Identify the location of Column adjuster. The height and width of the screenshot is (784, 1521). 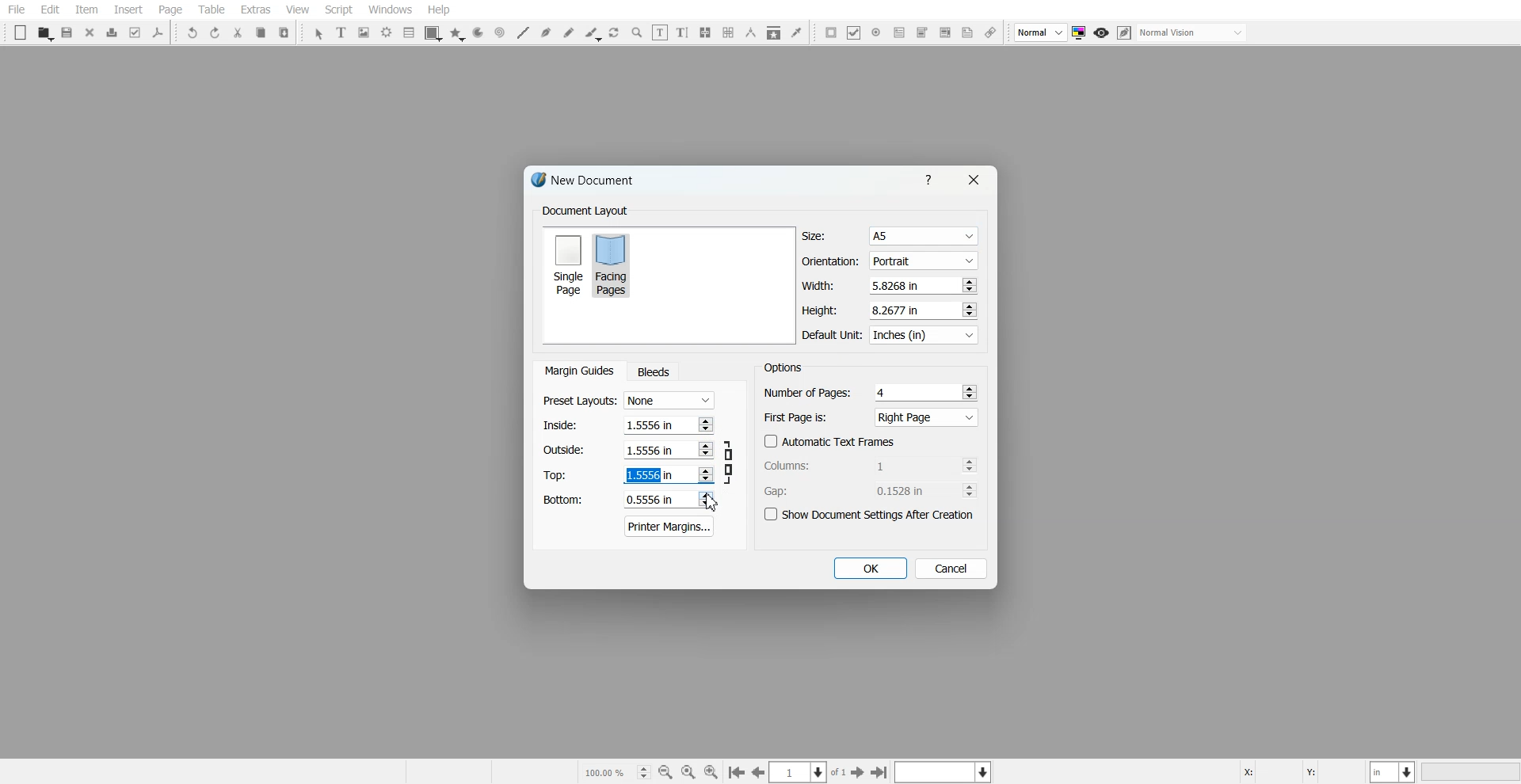
(871, 465).